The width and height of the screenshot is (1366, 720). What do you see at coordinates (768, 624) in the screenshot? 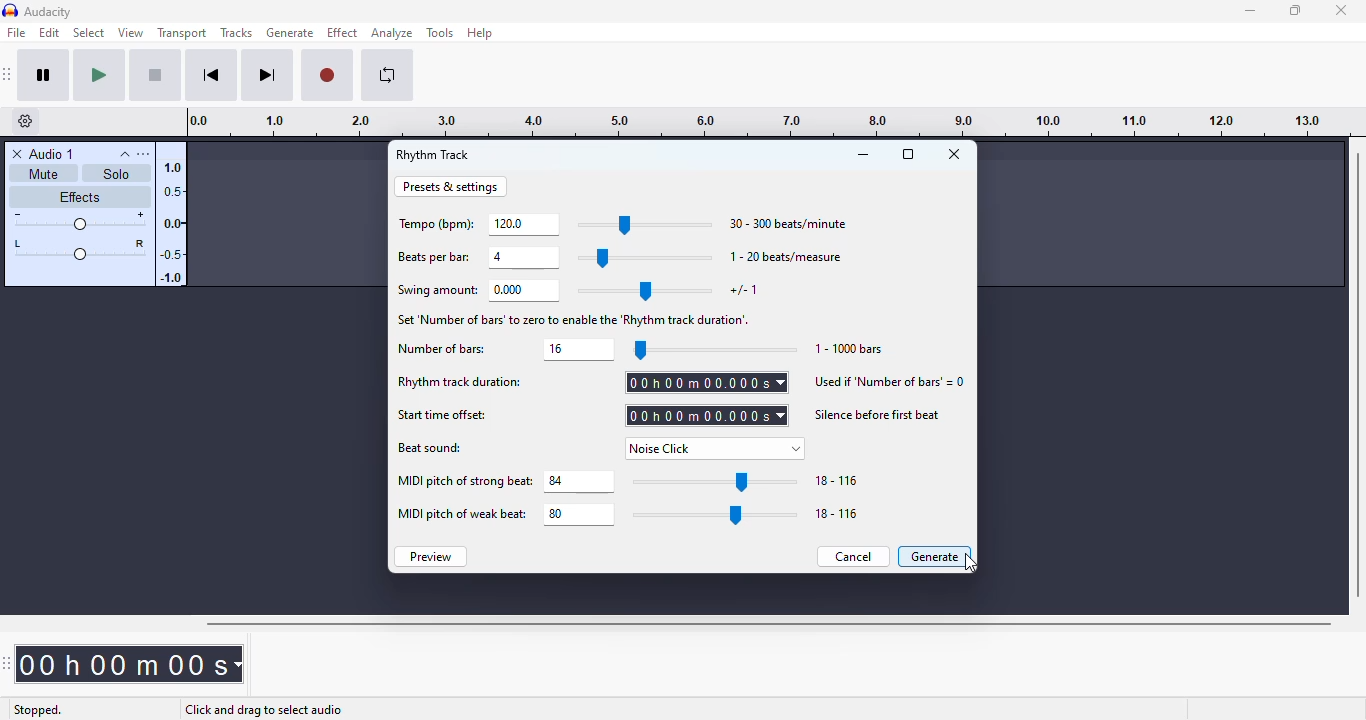
I see `horizontal scroll bar` at bounding box center [768, 624].